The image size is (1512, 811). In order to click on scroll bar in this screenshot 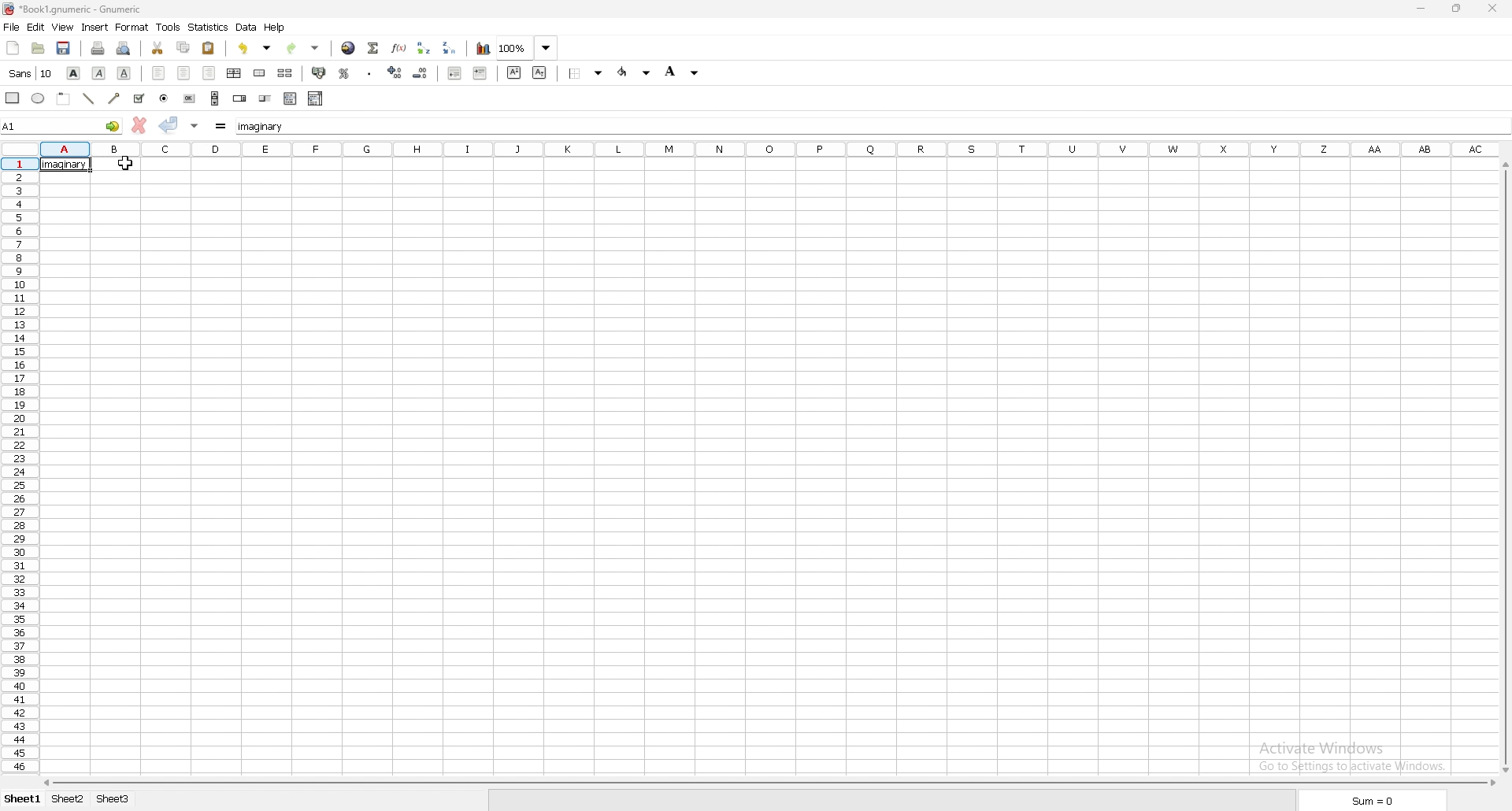, I will do `click(1504, 465)`.